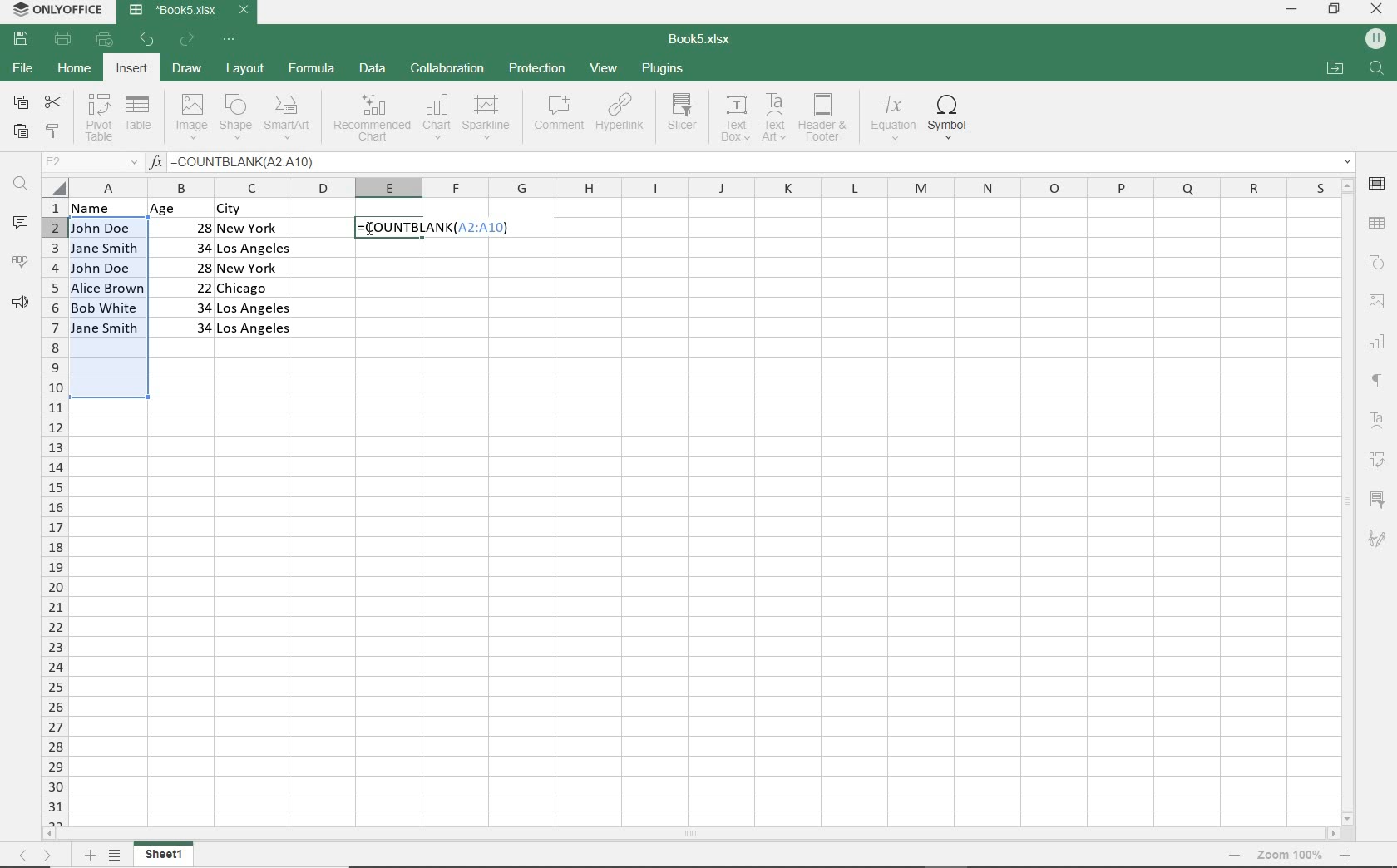 The width and height of the screenshot is (1397, 868). What do you see at coordinates (427, 229) in the screenshot?
I see `FORMULA` at bounding box center [427, 229].